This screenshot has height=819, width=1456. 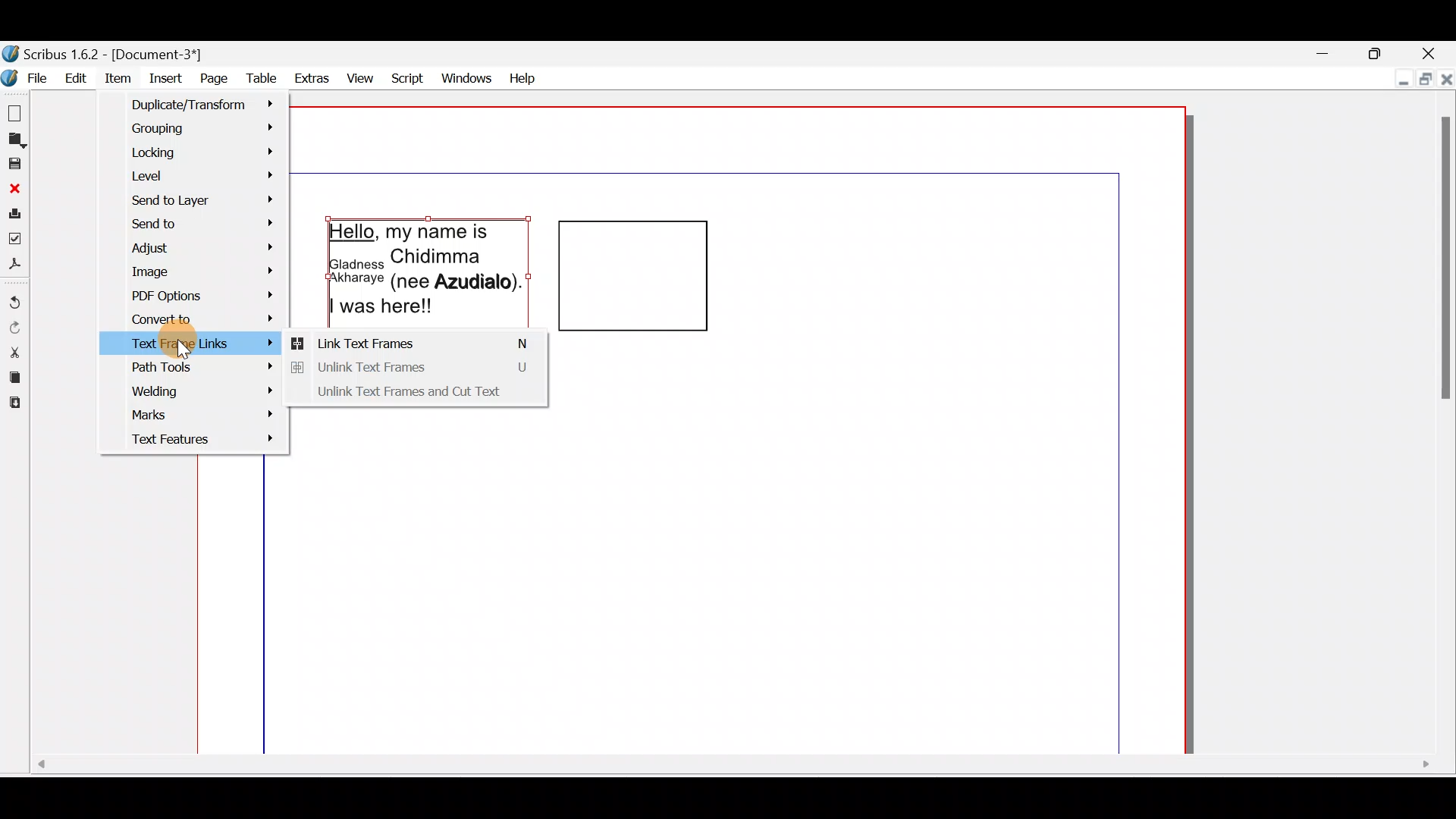 What do you see at coordinates (27, 76) in the screenshot?
I see `File` at bounding box center [27, 76].